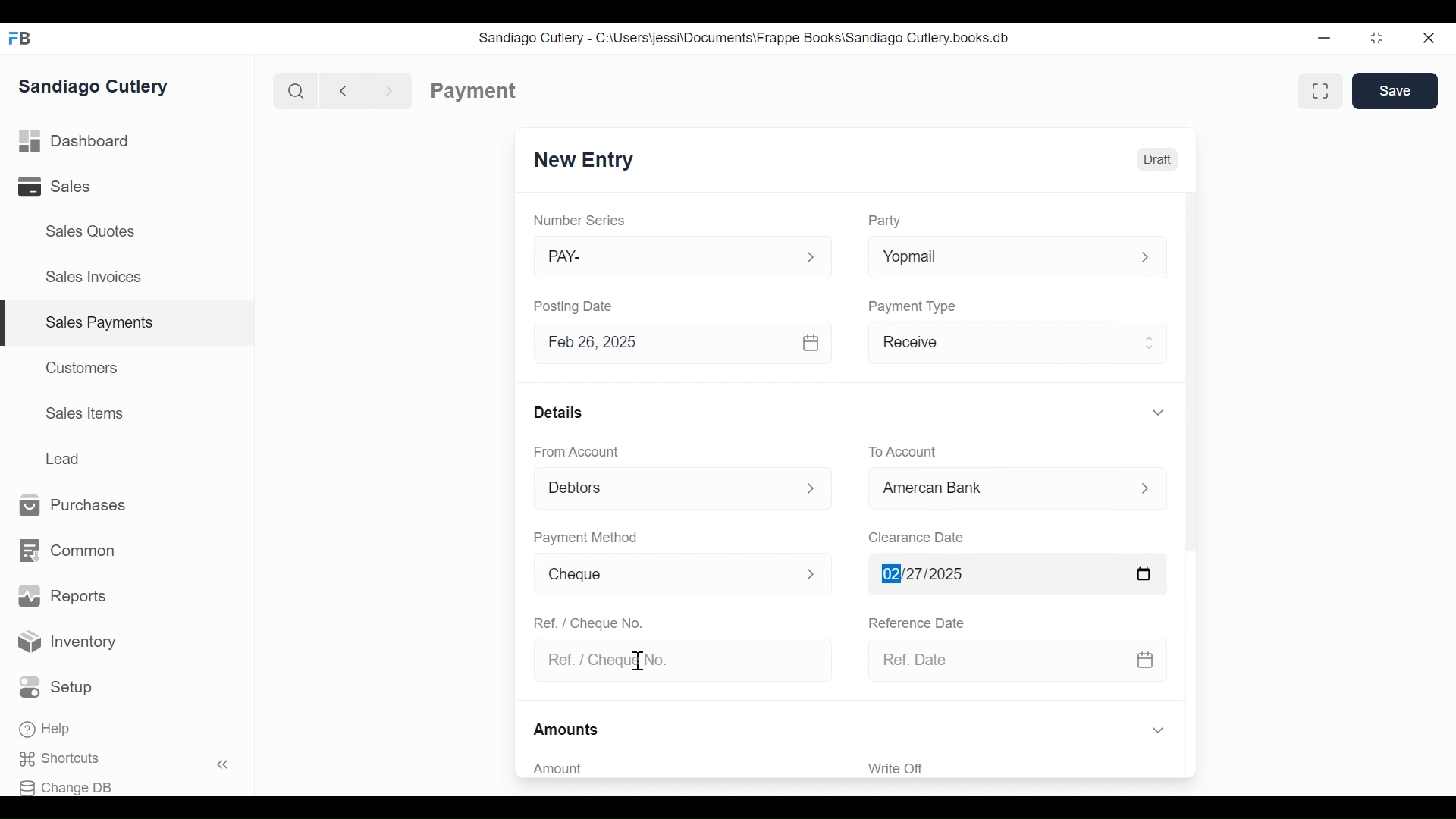 The width and height of the screenshot is (1456, 819). Describe the element at coordinates (71, 786) in the screenshot. I see `Change DB` at that location.